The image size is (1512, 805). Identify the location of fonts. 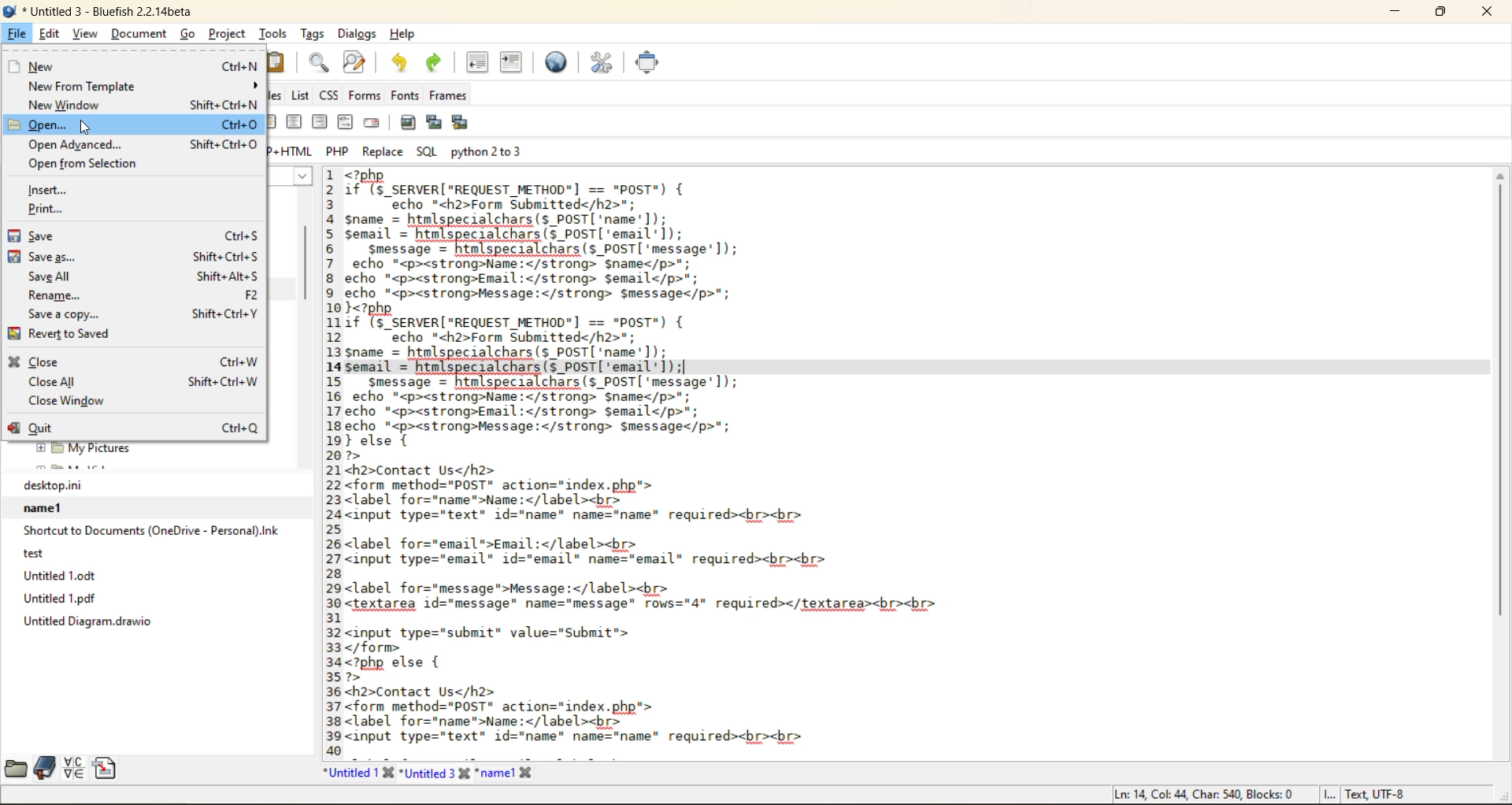
(402, 97).